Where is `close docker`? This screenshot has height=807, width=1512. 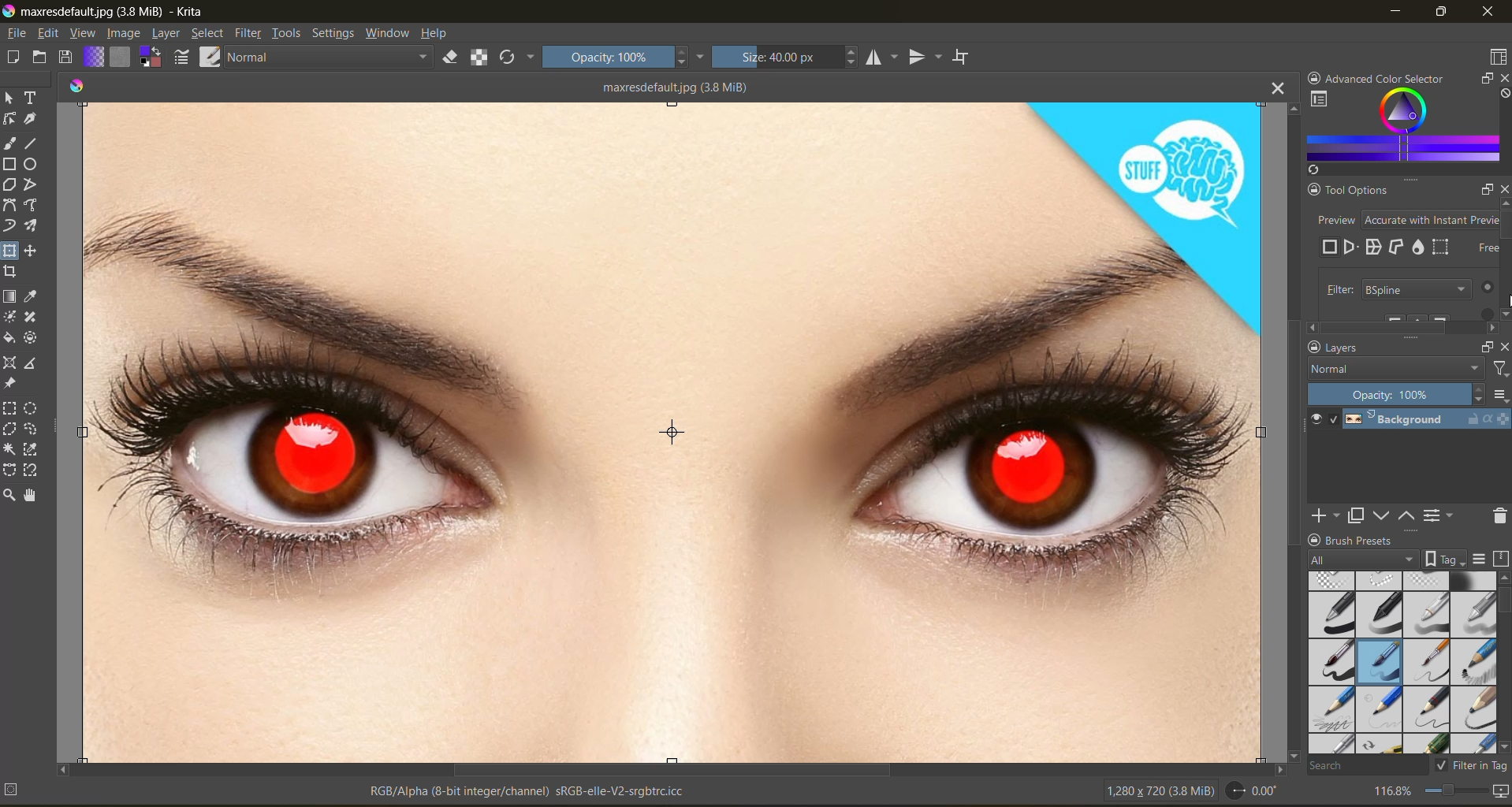 close docker is located at coordinates (1503, 351).